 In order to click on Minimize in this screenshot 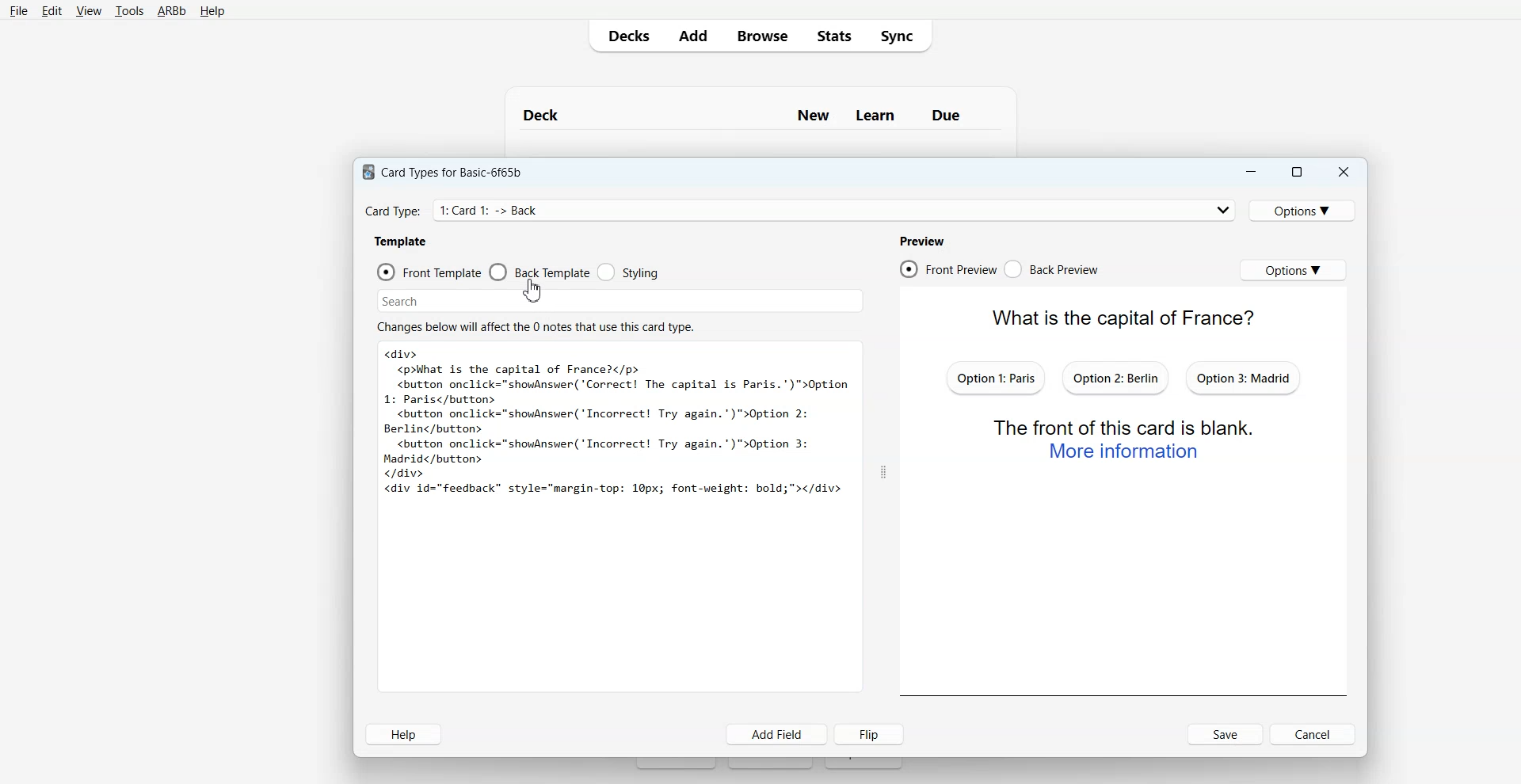, I will do `click(1252, 171)`.